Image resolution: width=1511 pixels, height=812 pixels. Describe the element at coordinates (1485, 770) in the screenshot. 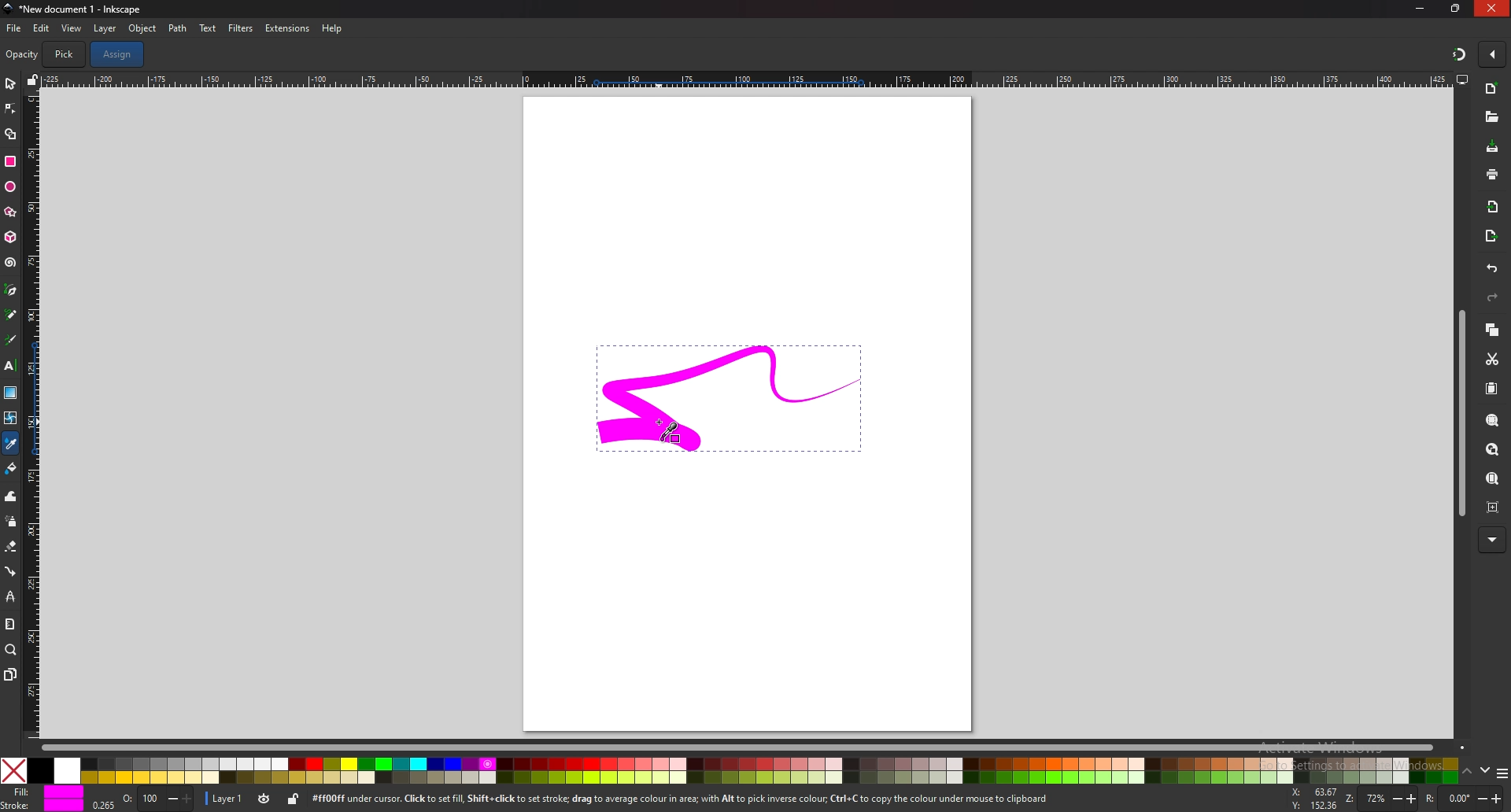

I see `down` at that location.